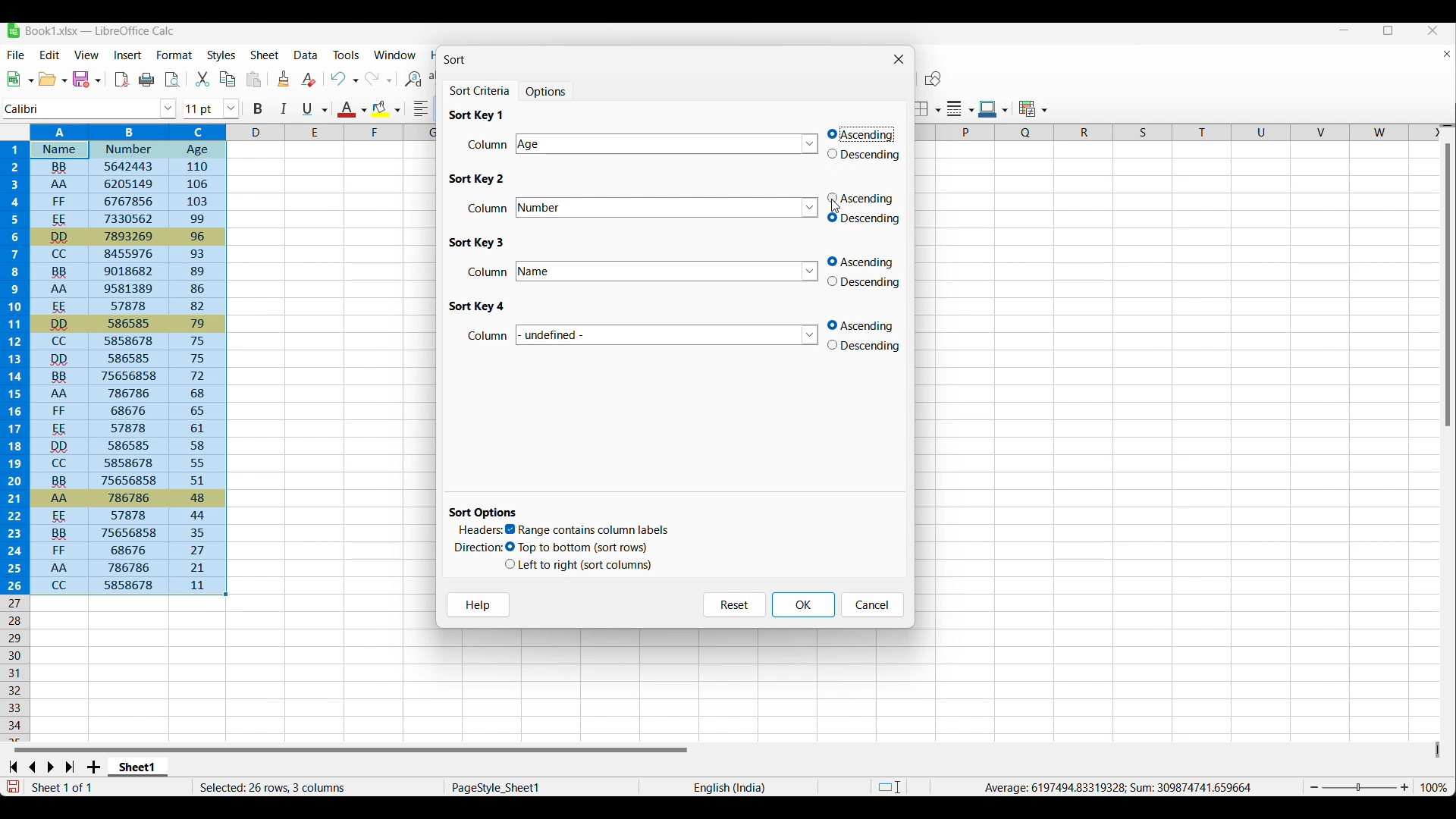  Describe the element at coordinates (728, 786) in the screenshot. I see `Current language` at that location.